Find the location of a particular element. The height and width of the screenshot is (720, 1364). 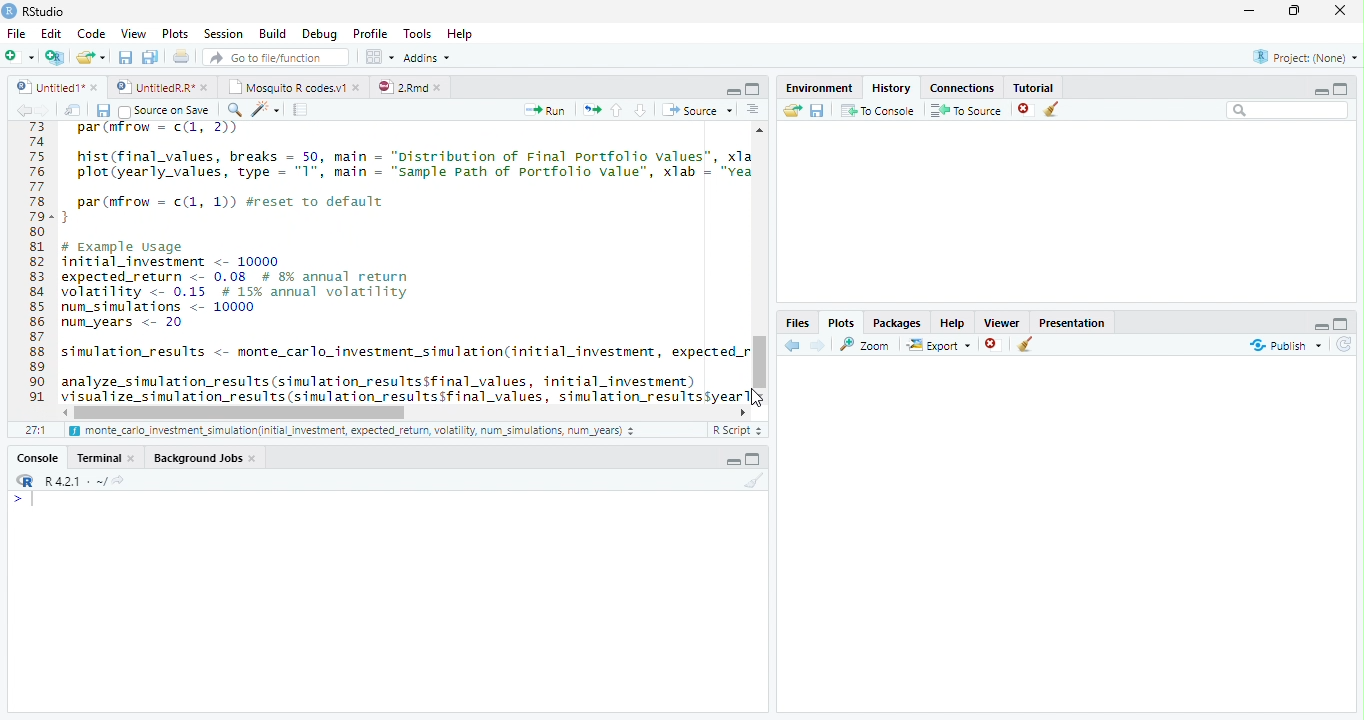

Source on save is located at coordinates (166, 111).